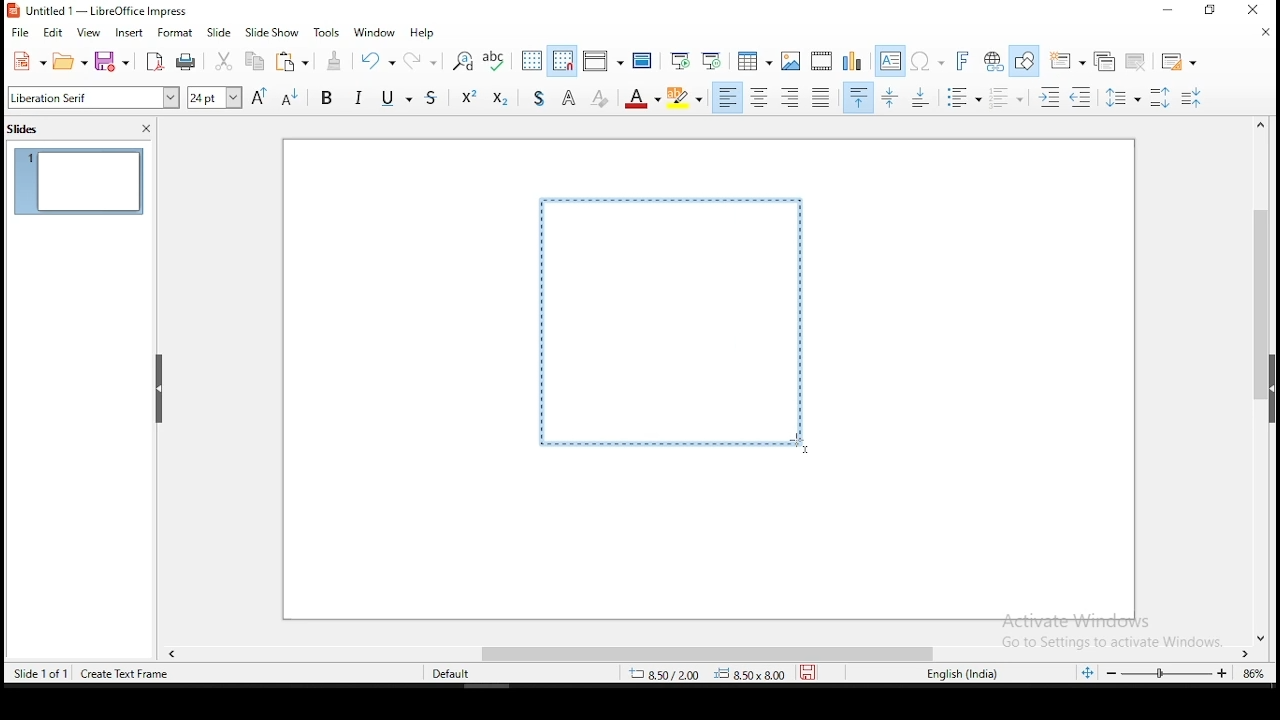 This screenshot has height=720, width=1280. What do you see at coordinates (669, 676) in the screenshot?
I see `20.49/-0.77` at bounding box center [669, 676].